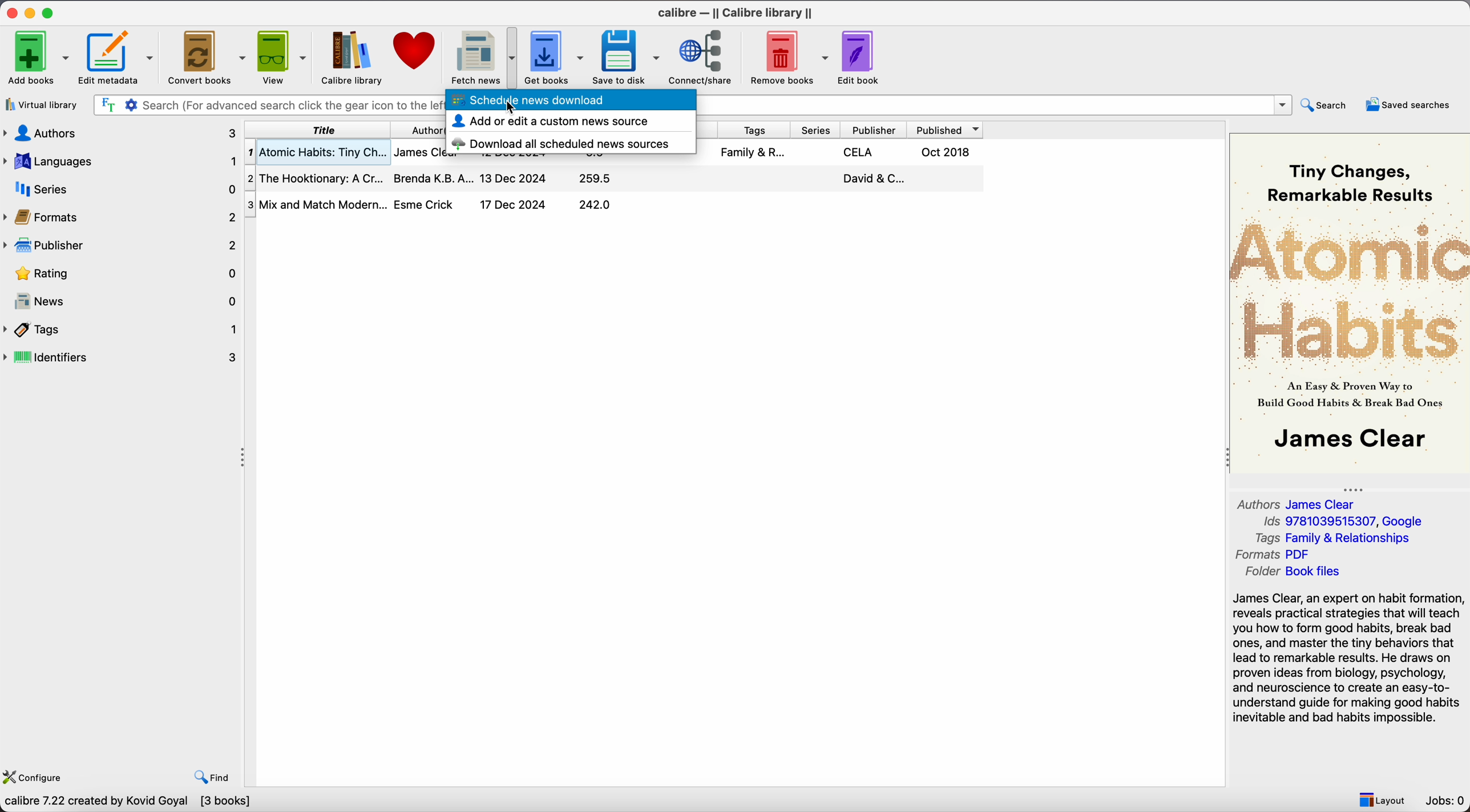 The image size is (1470, 812). What do you see at coordinates (122, 188) in the screenshot?
I see `series` at bounding box center [122, 188].